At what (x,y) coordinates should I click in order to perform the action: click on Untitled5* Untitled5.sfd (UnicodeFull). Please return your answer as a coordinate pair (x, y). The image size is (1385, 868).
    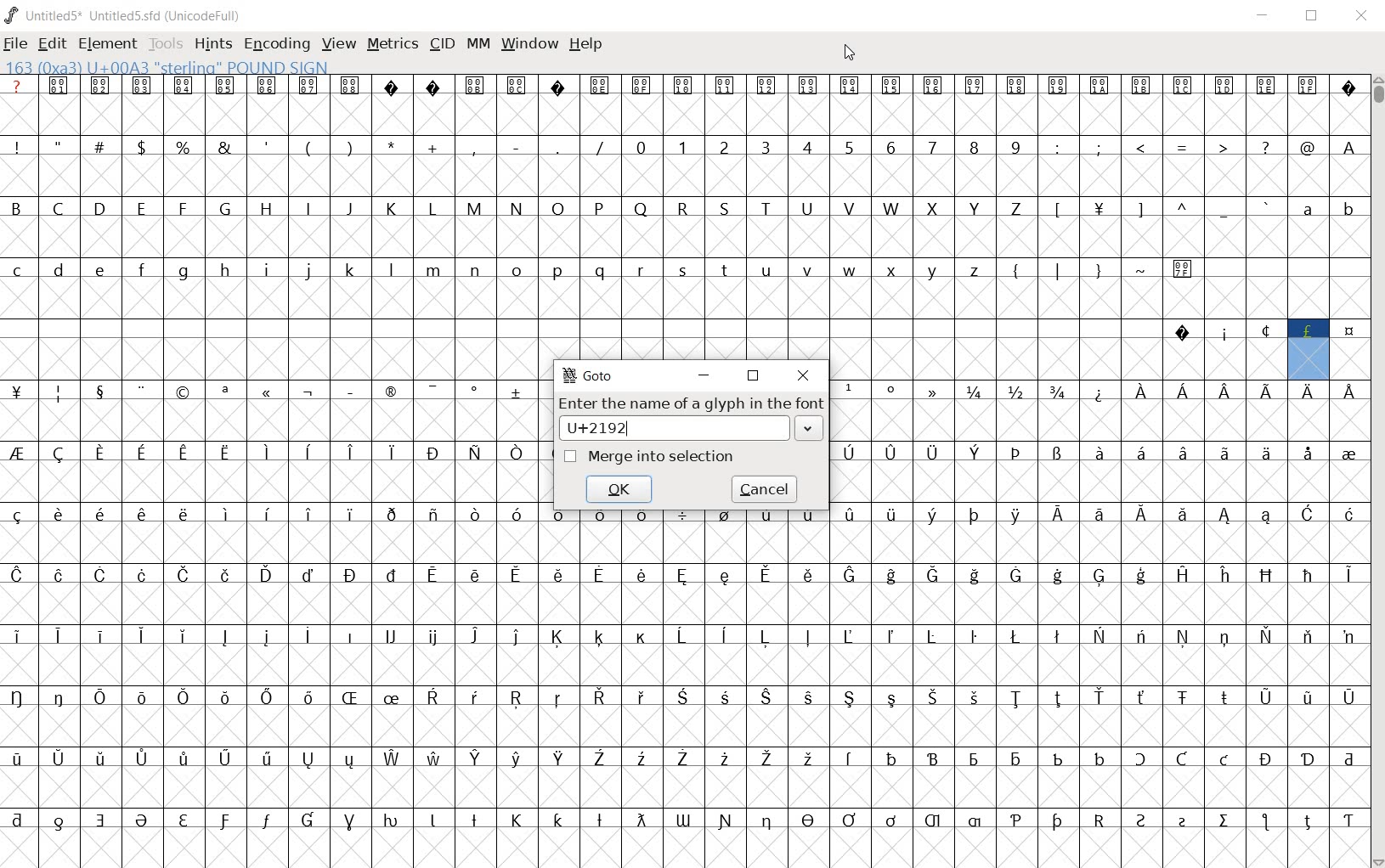
    Looking at the image, I should click on (126, 15).